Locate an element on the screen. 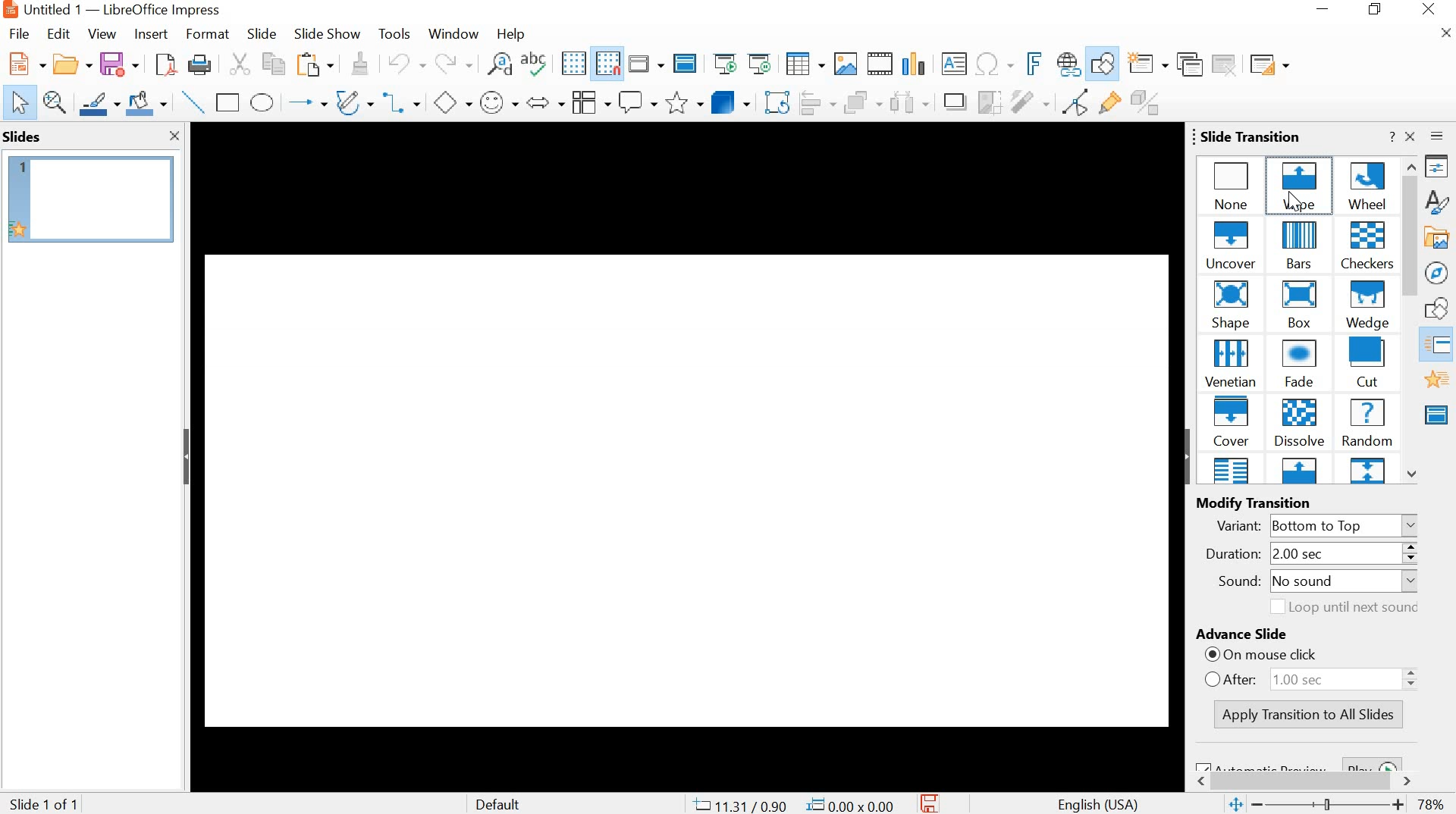 This screenshot has width=1456, height=814. CLOSE is located at coordinates (1430, 9).